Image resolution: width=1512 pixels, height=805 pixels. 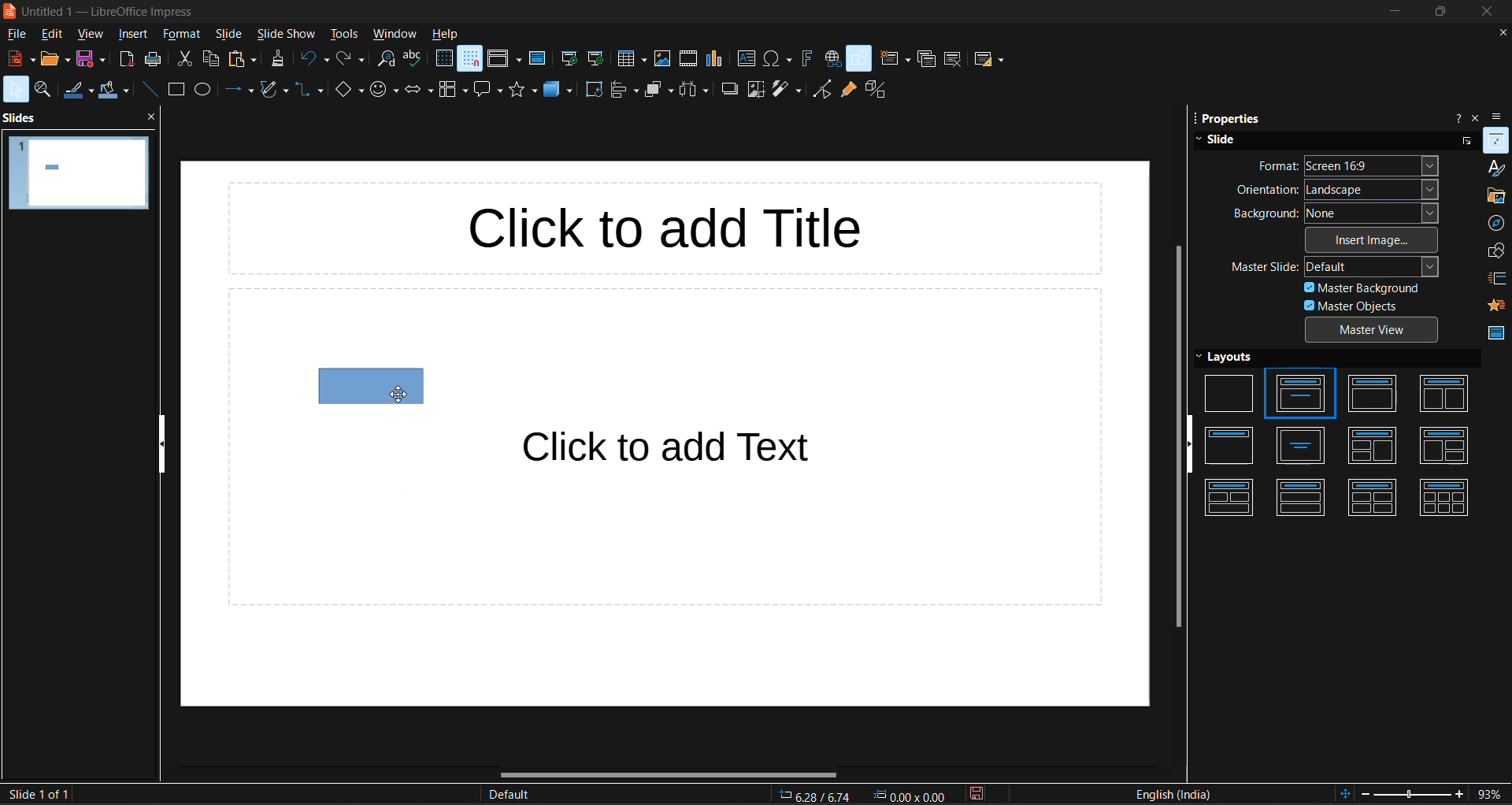 I want to click on fill color, so click(x=113, y=91).